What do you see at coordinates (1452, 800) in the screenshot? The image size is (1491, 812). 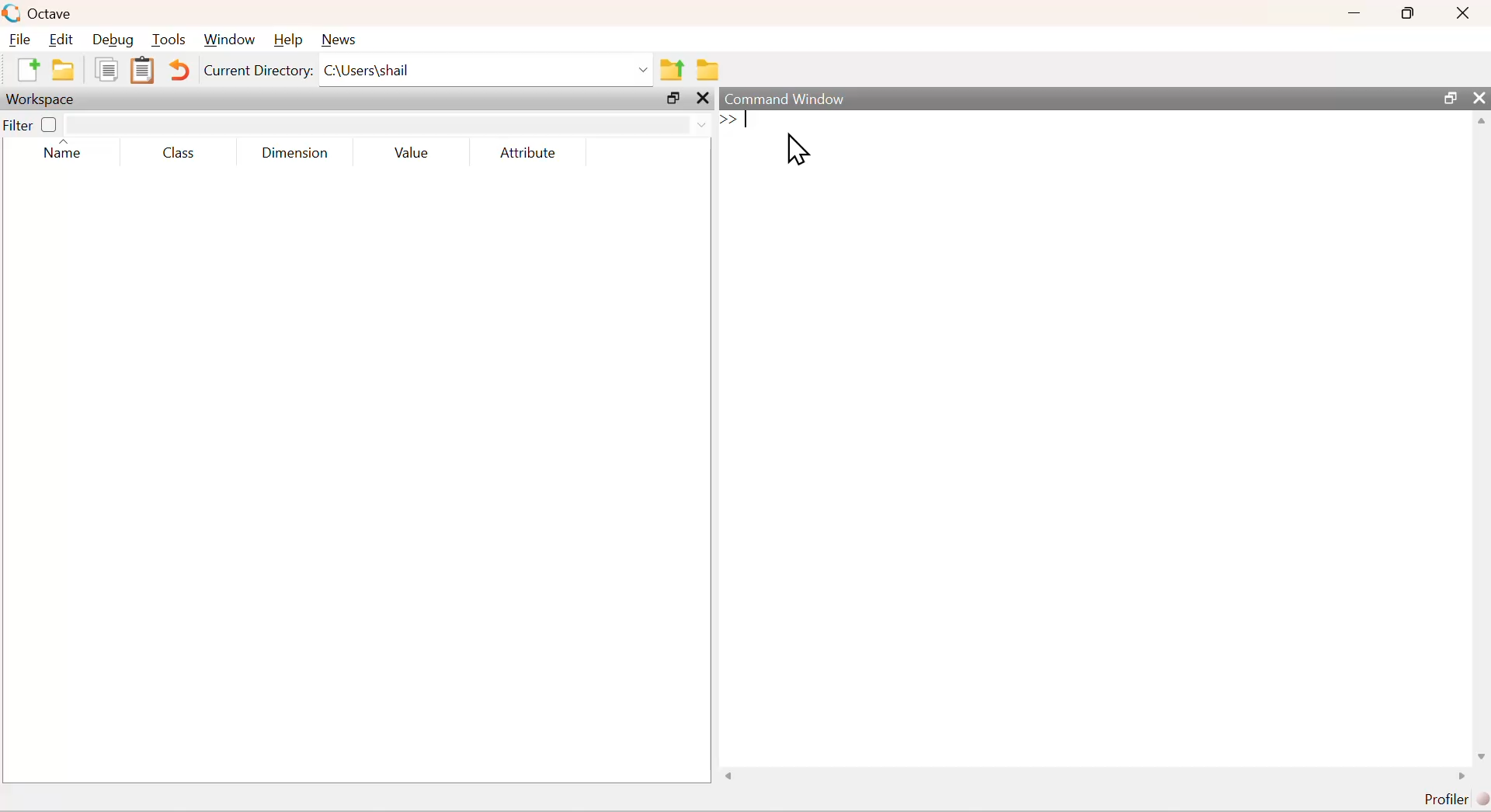 I see `Profiler` at bounding box center [1452, 800].